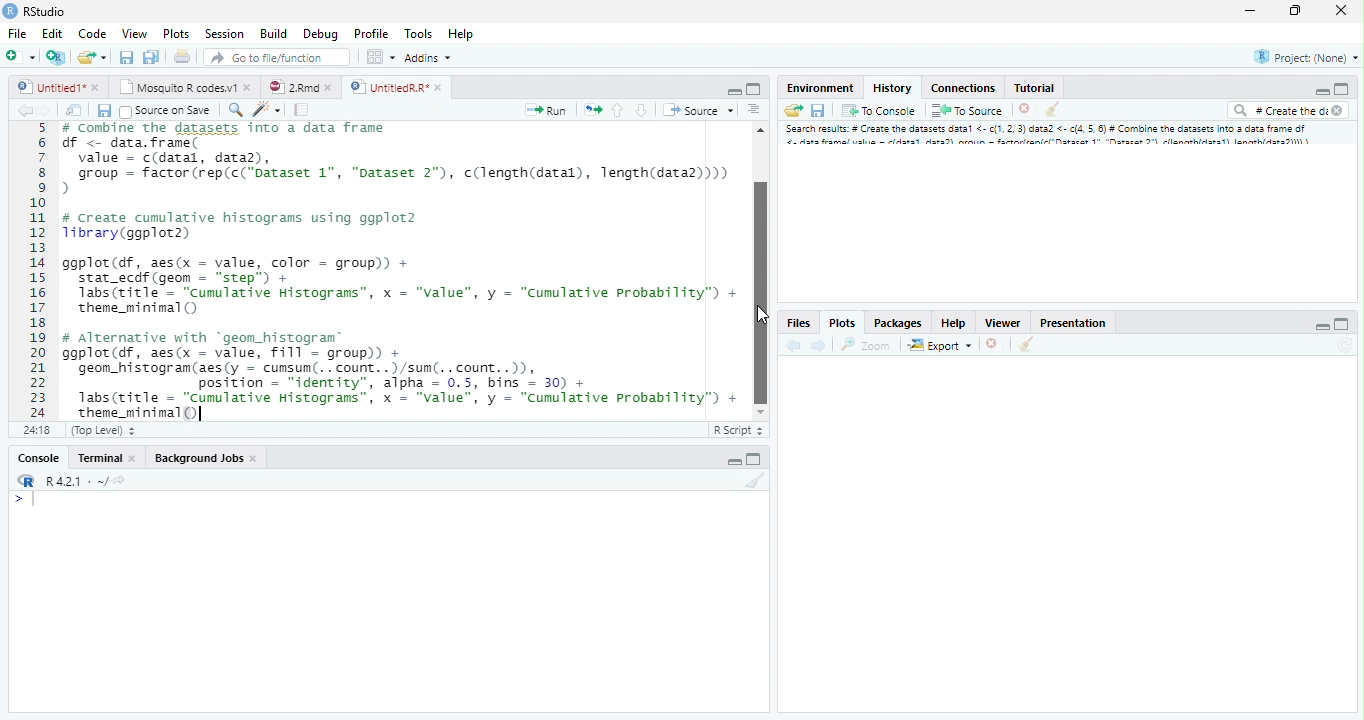 The width and height of the screenshot is (1364, 720). What do you see at coordinates (968, 110) in the screenshot?
I see `To Source` at bounding box center [968, 110].